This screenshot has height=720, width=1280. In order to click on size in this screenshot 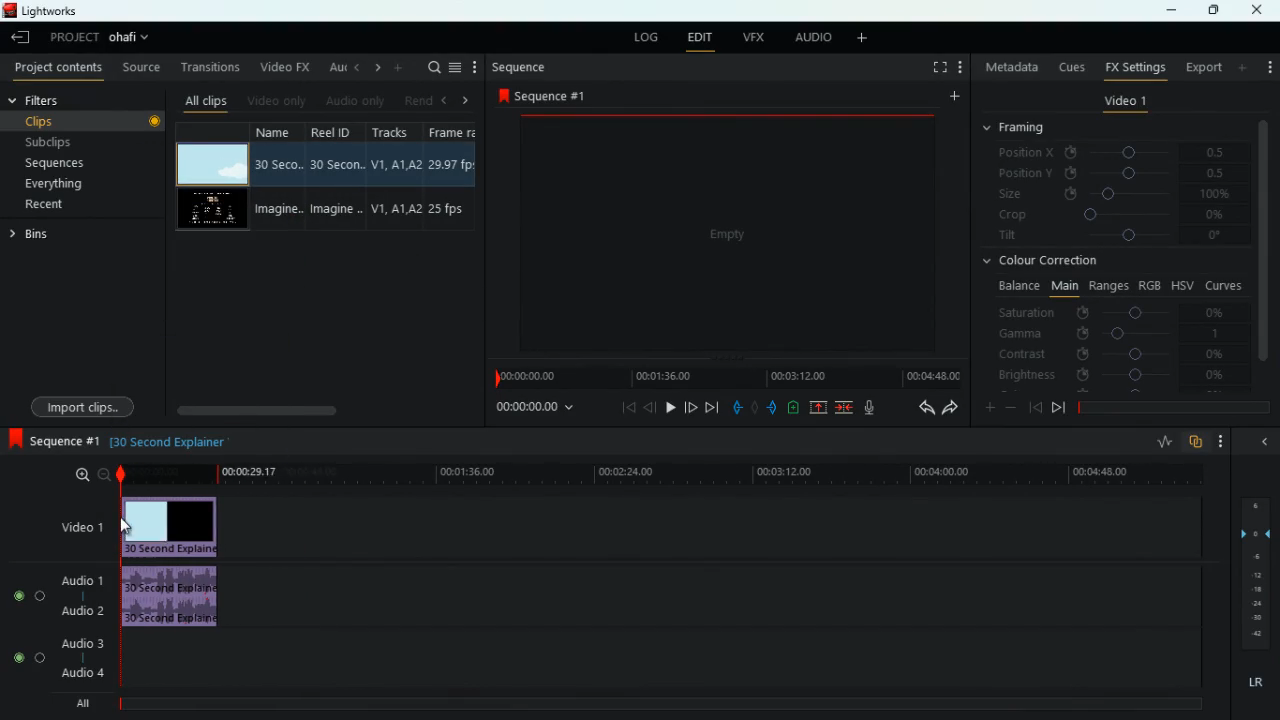, I will do `click(1111, 194)`.